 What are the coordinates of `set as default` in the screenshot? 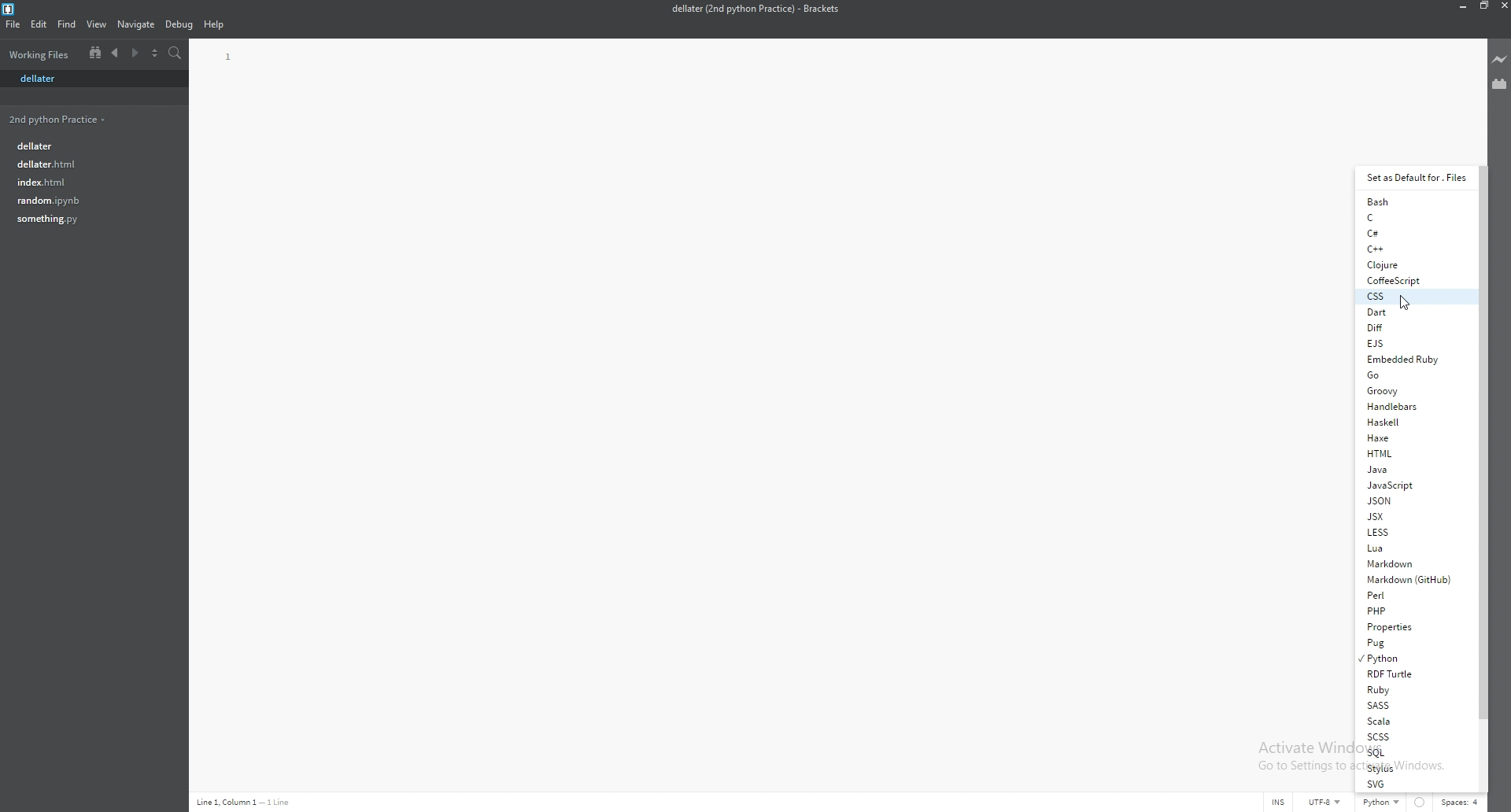 It's located at (1418, 177).